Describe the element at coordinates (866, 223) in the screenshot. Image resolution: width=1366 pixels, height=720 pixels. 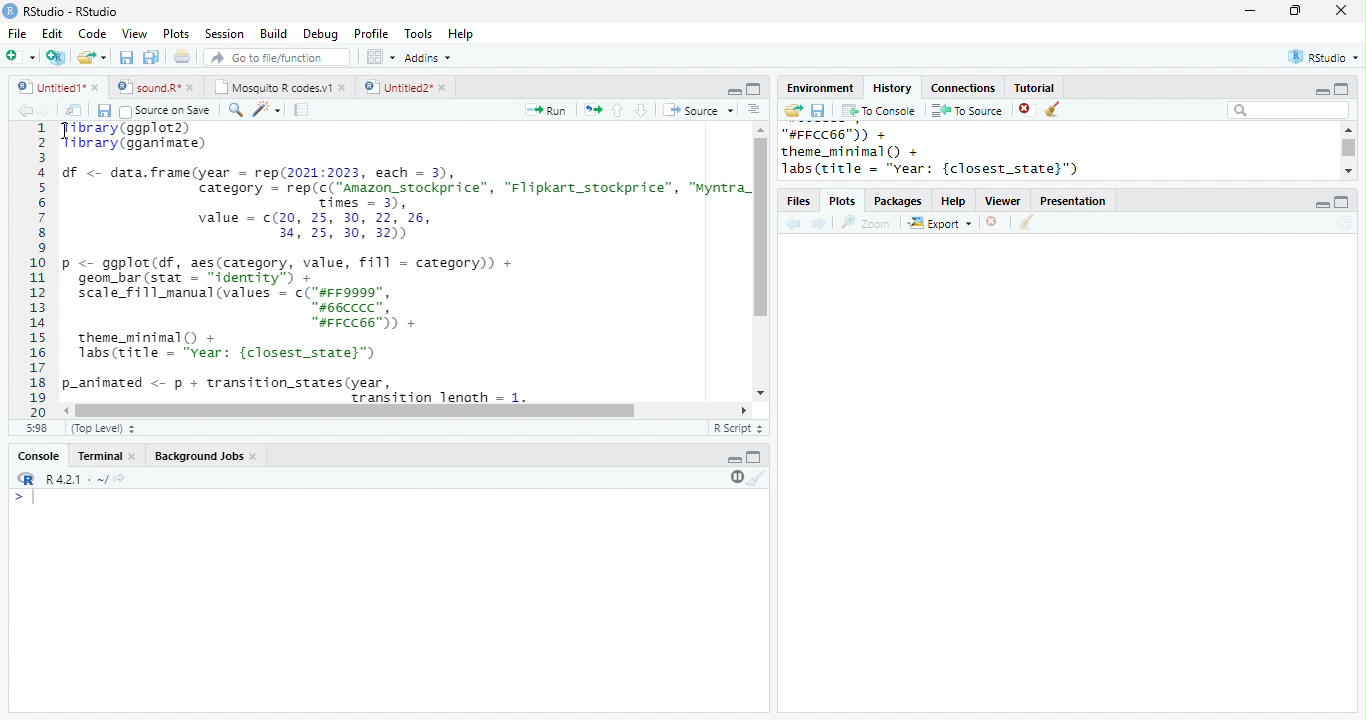
I see `Zoom` at that location.